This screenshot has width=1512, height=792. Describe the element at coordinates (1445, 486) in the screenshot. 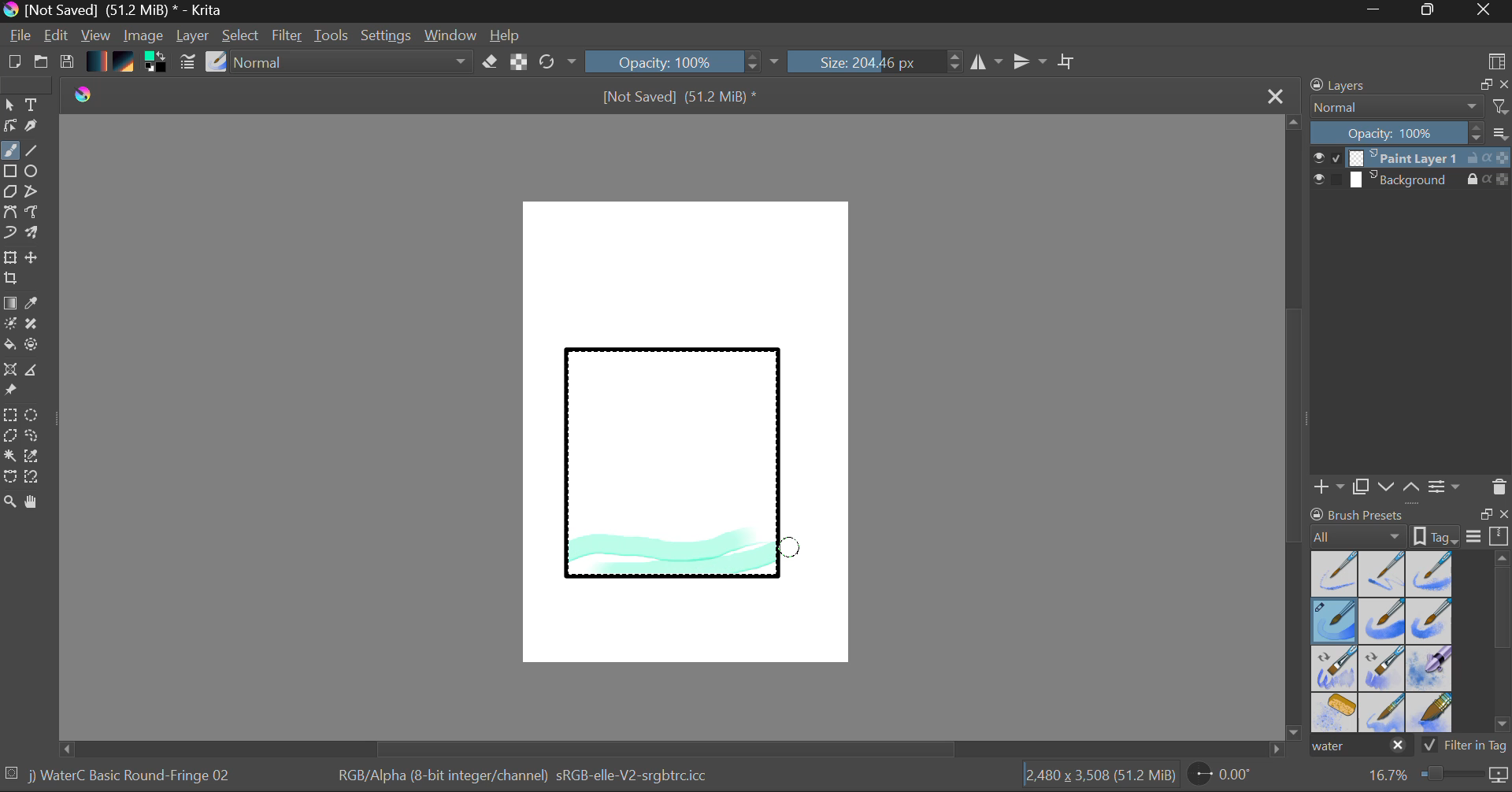

I see `Layer Settings` at that location.